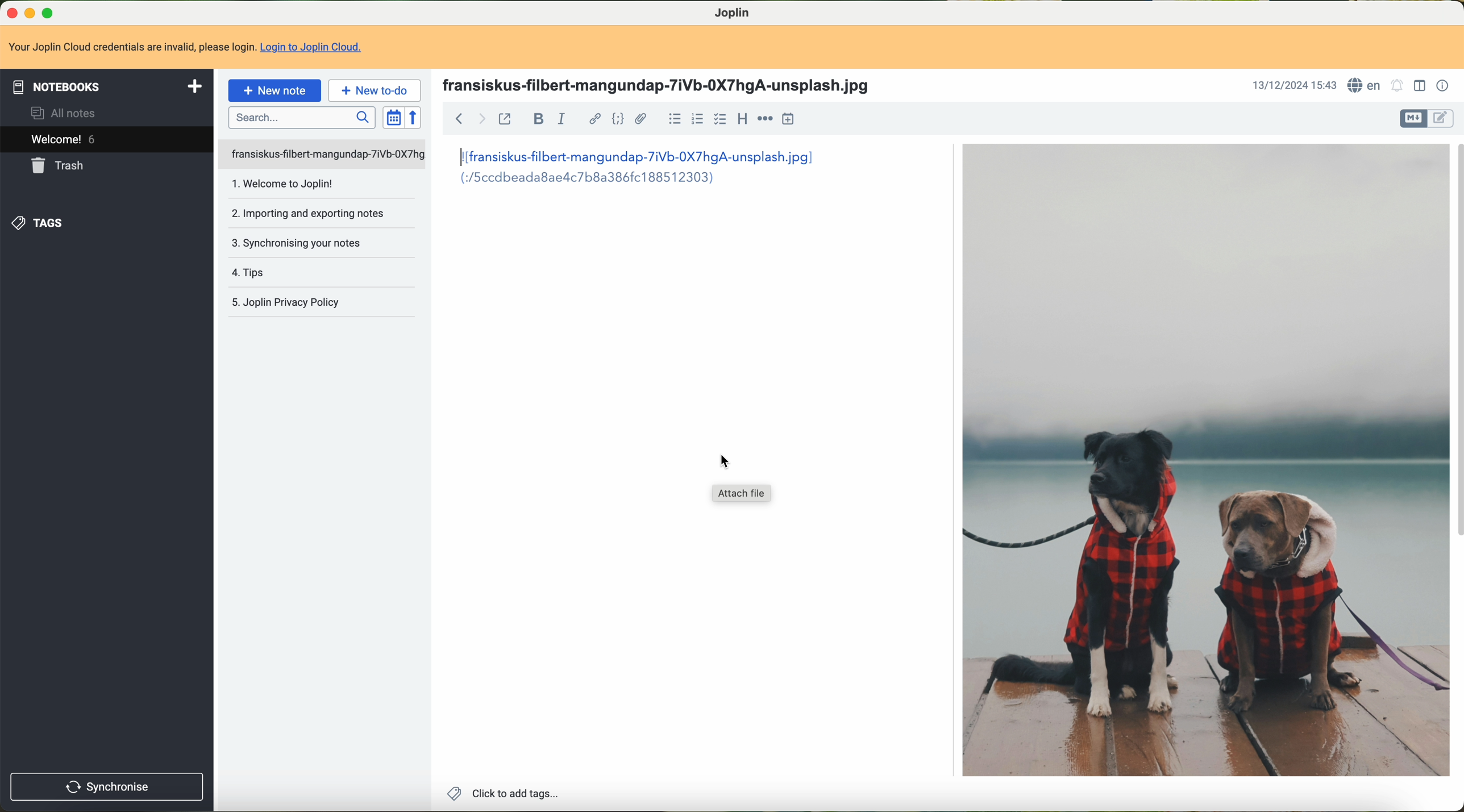 The height and width of the screenshot is (812, 1464). Describe the element at coordinates (1421, 86) in the screenshot. I see `toggle editor layout` at that location.